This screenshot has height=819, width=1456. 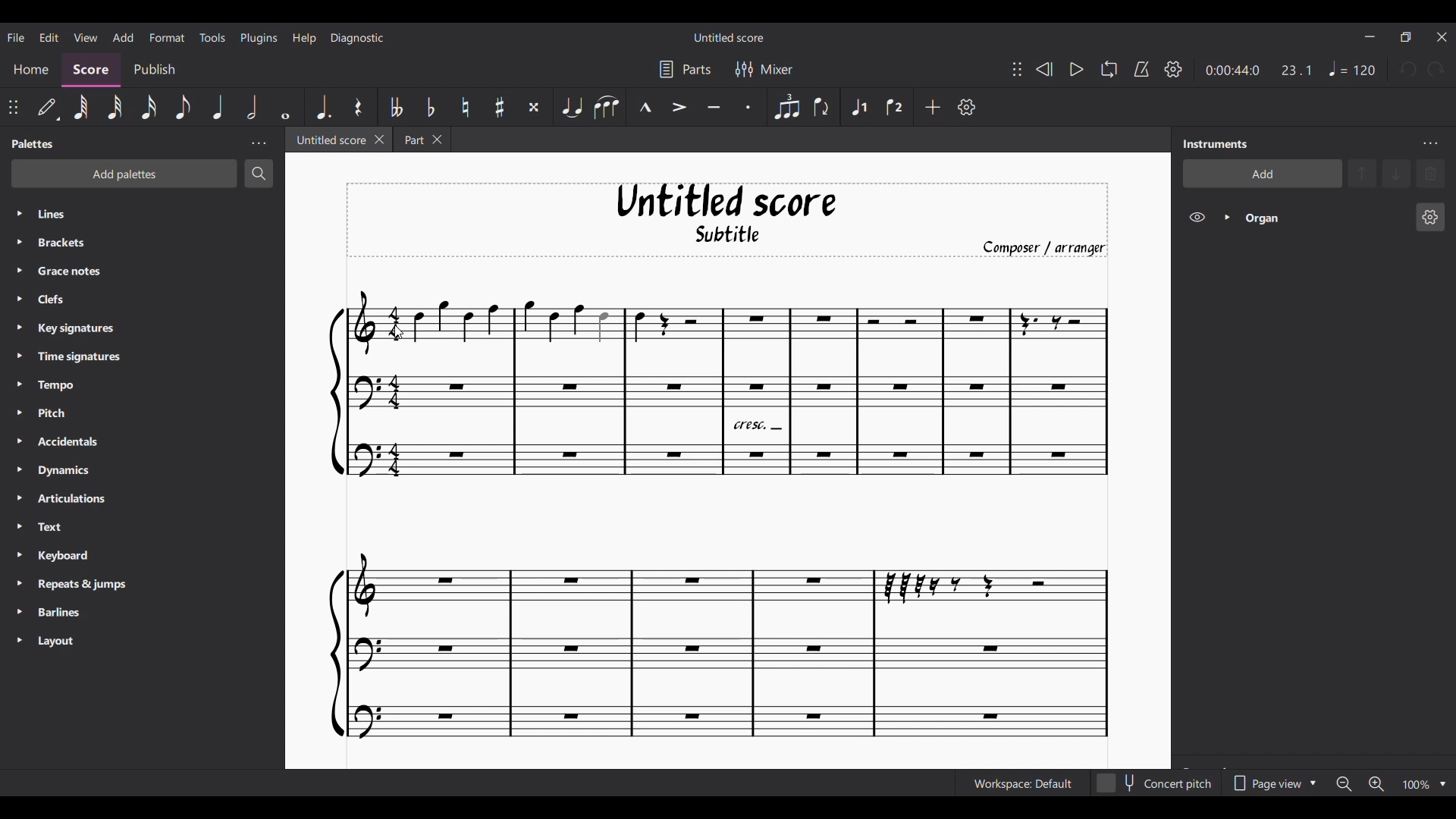 I want to click on Quarter note, so click(x=218, y=107).